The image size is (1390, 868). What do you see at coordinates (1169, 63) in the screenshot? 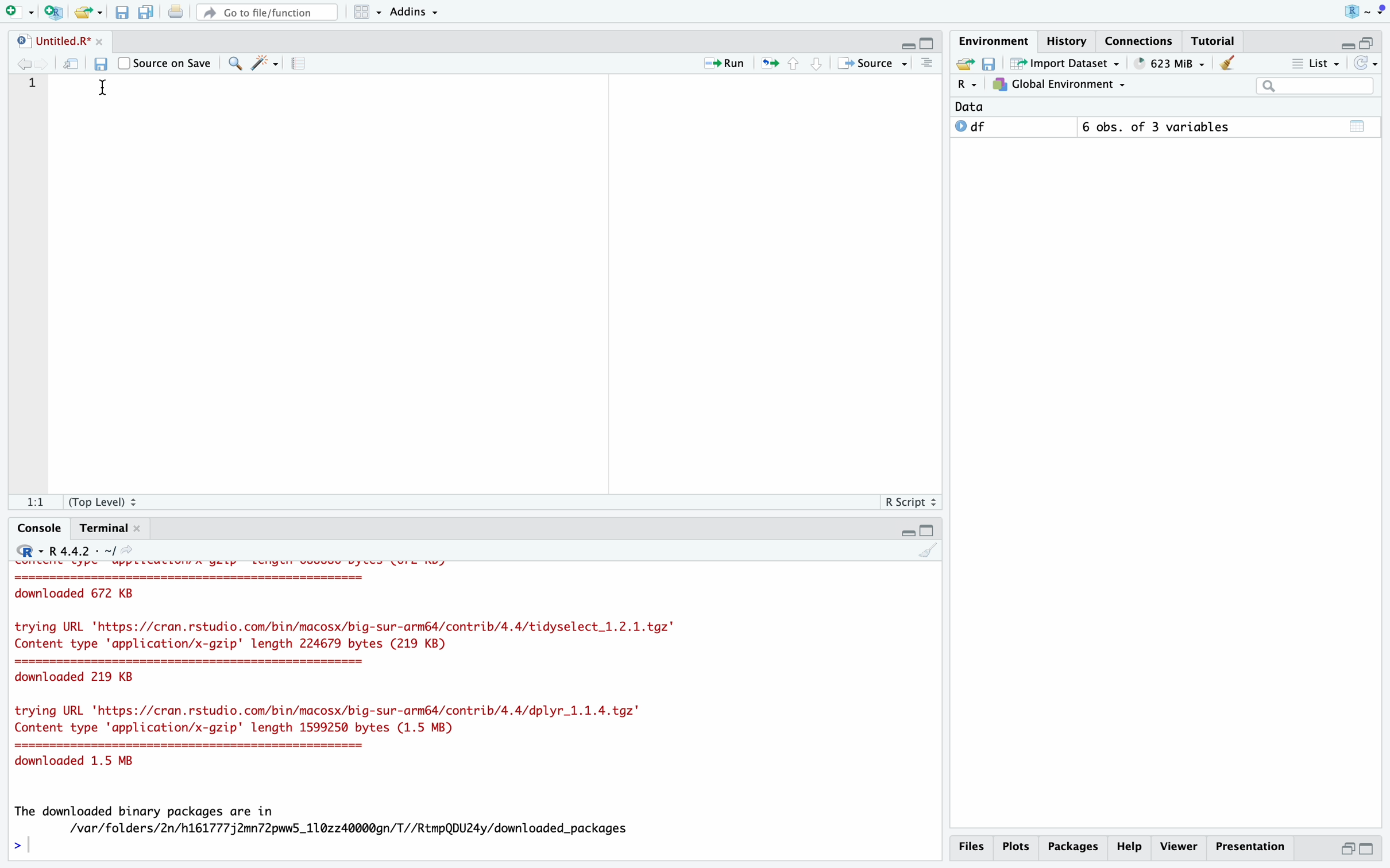
I see `248 MiB` at bounding box center [1169, 63].